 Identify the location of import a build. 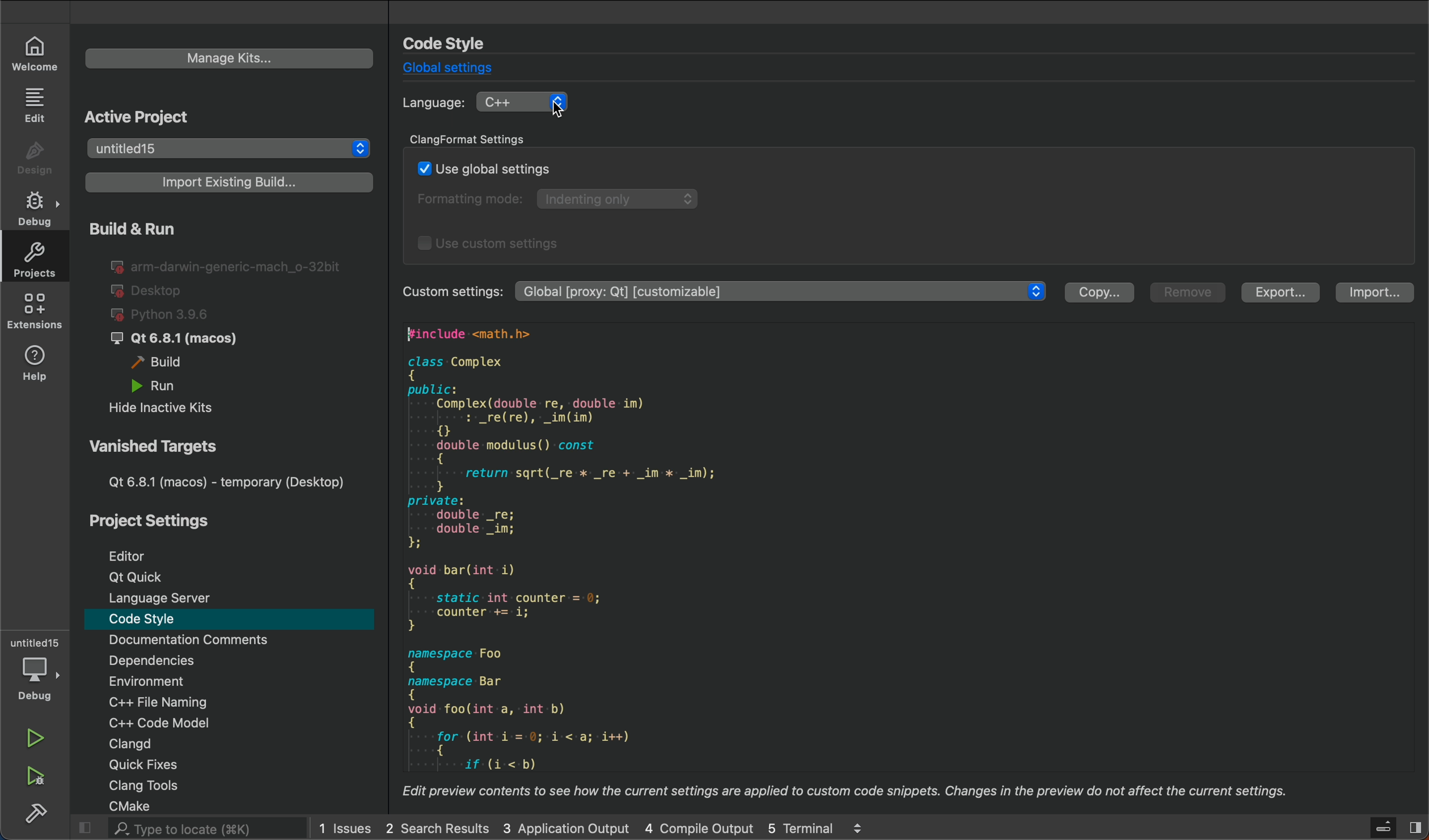
(225, 183).